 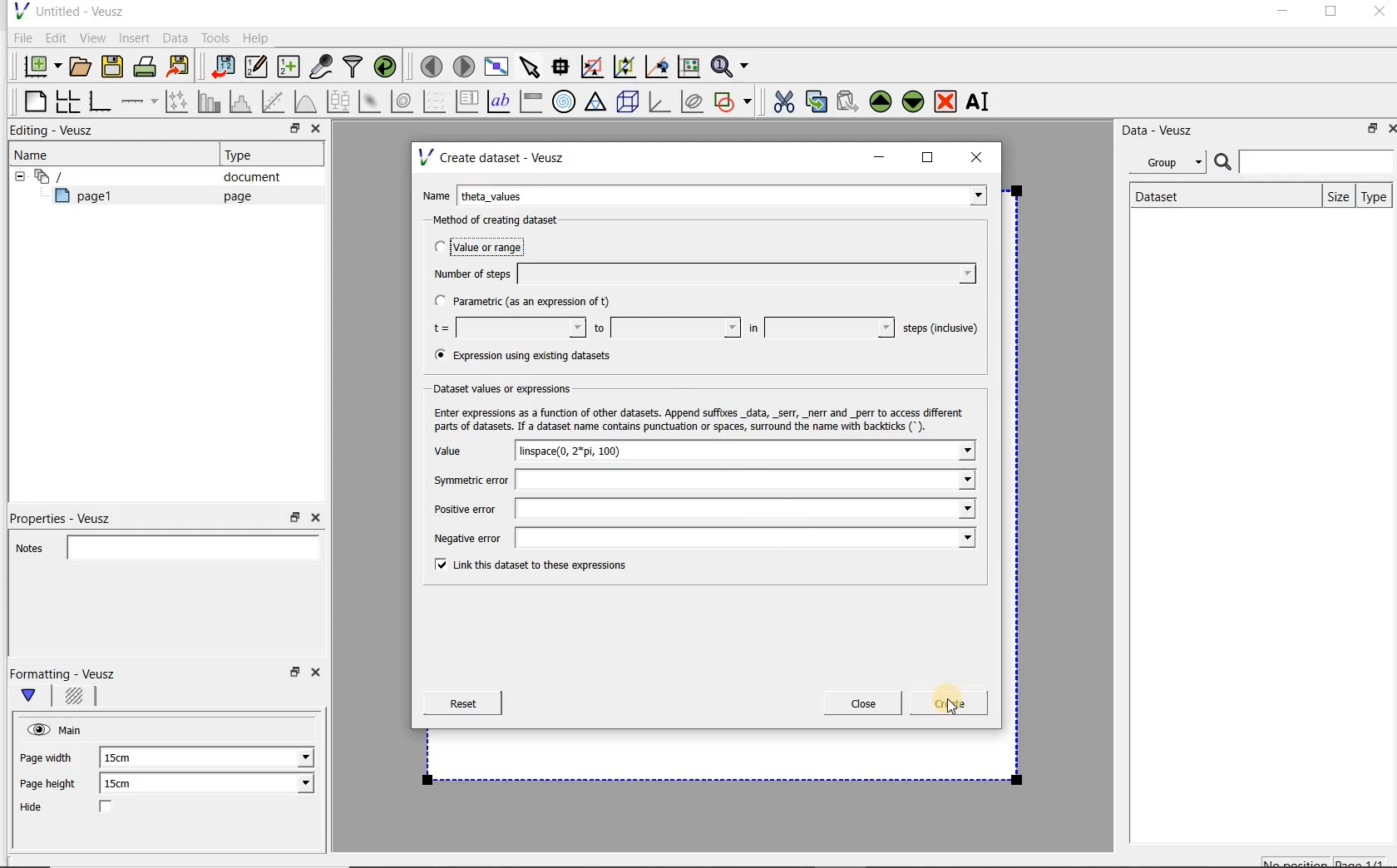 What do you see at coordinates (99, 102) in the screenshot?
I see `base graph` at bounding box center [99, 102].